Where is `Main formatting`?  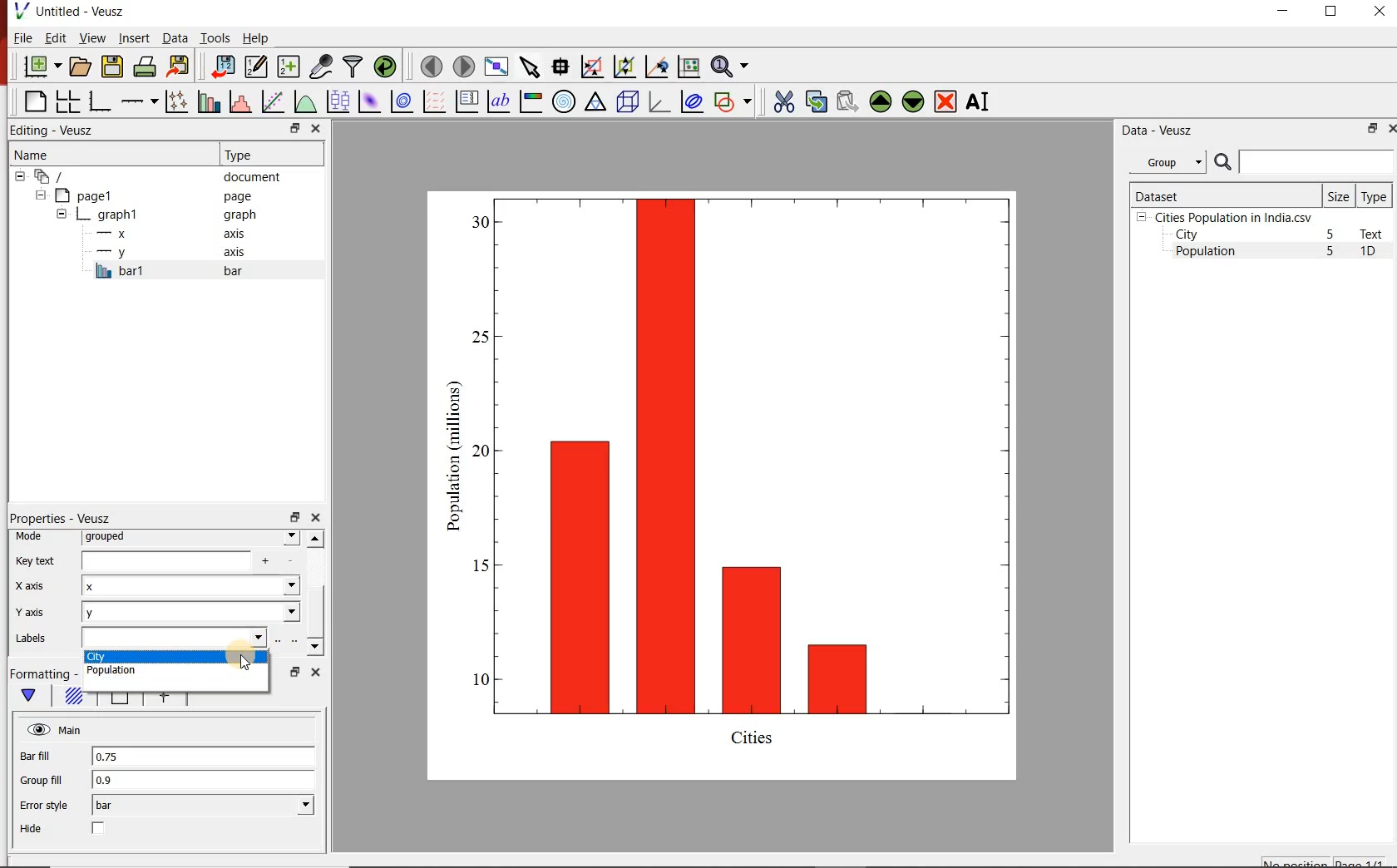 Main formatting is located at coordinates (32, 696).